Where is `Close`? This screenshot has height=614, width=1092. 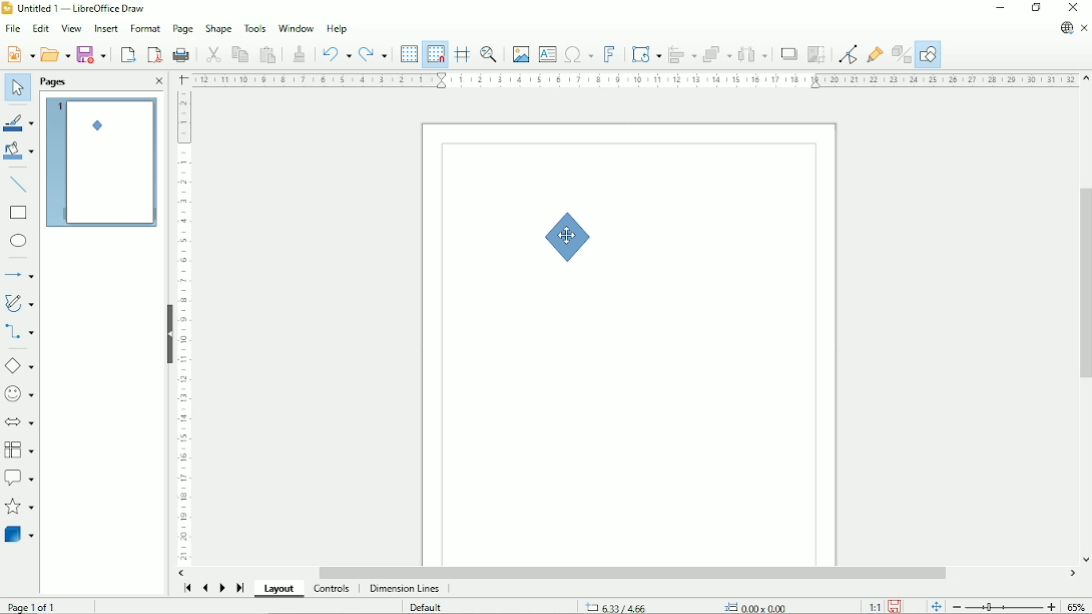 Close is located at coordinates (1071, 7).